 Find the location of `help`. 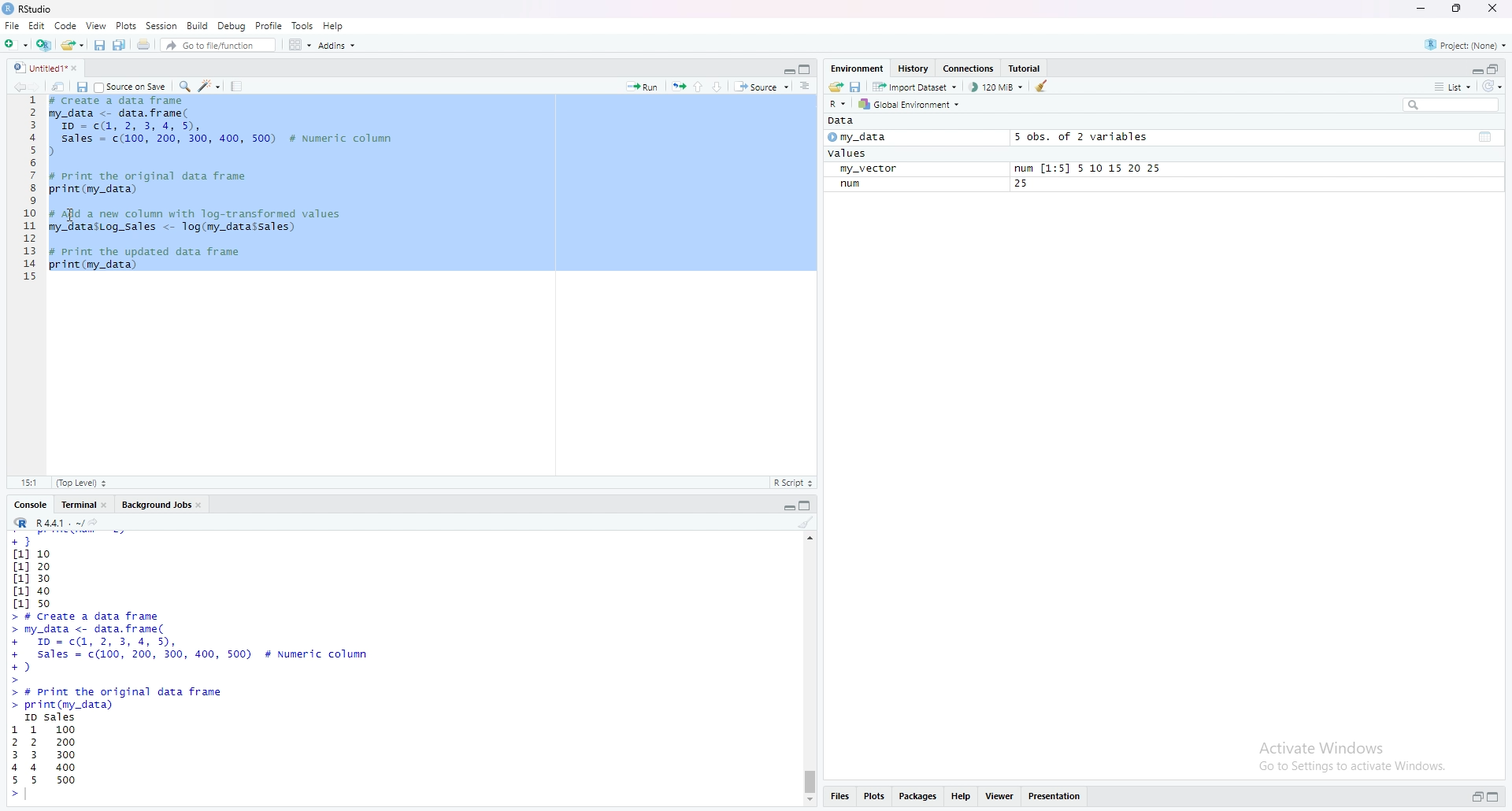

help is located at coordinates (962, 799).